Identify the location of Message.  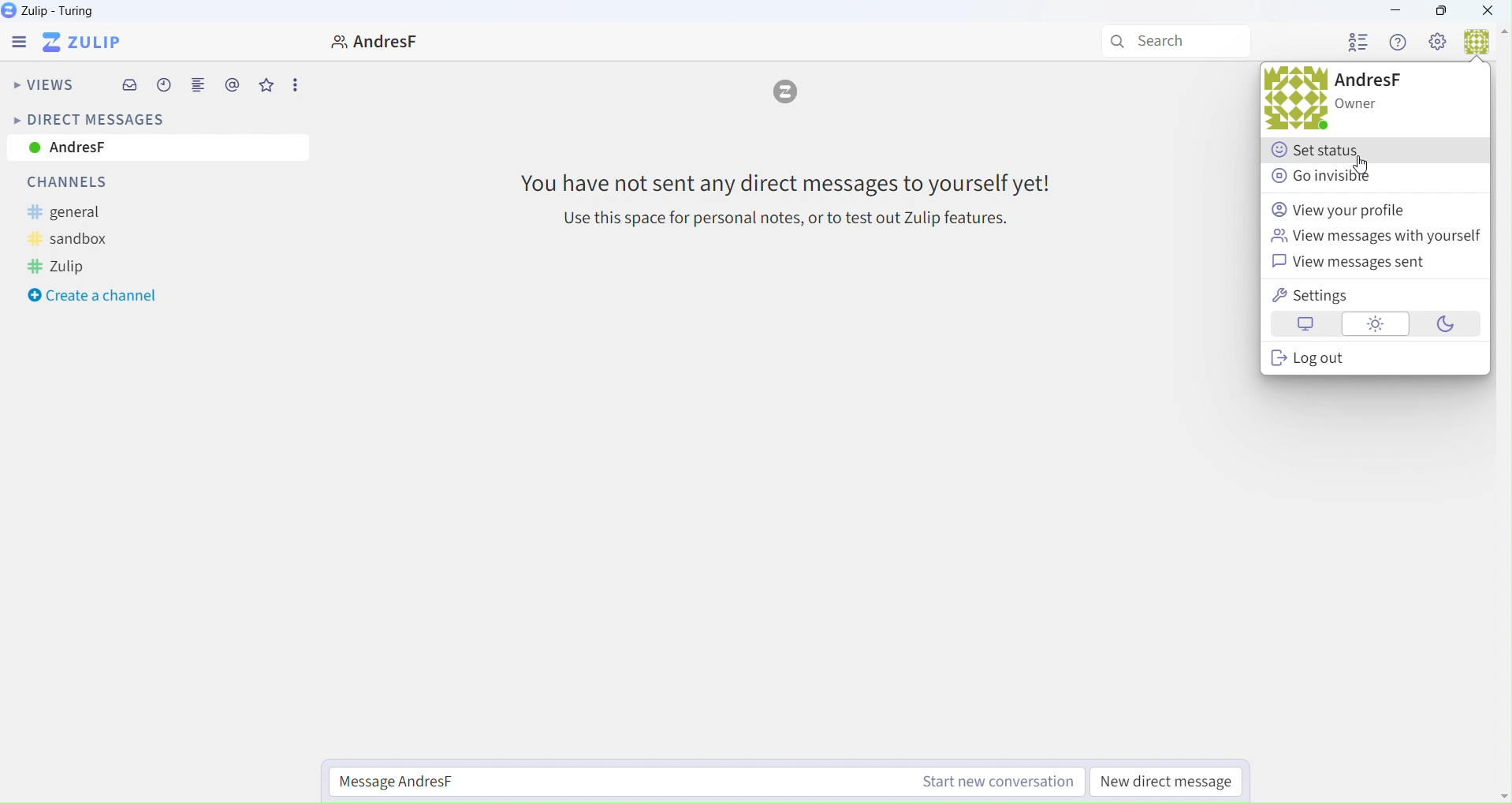
(785, 198).